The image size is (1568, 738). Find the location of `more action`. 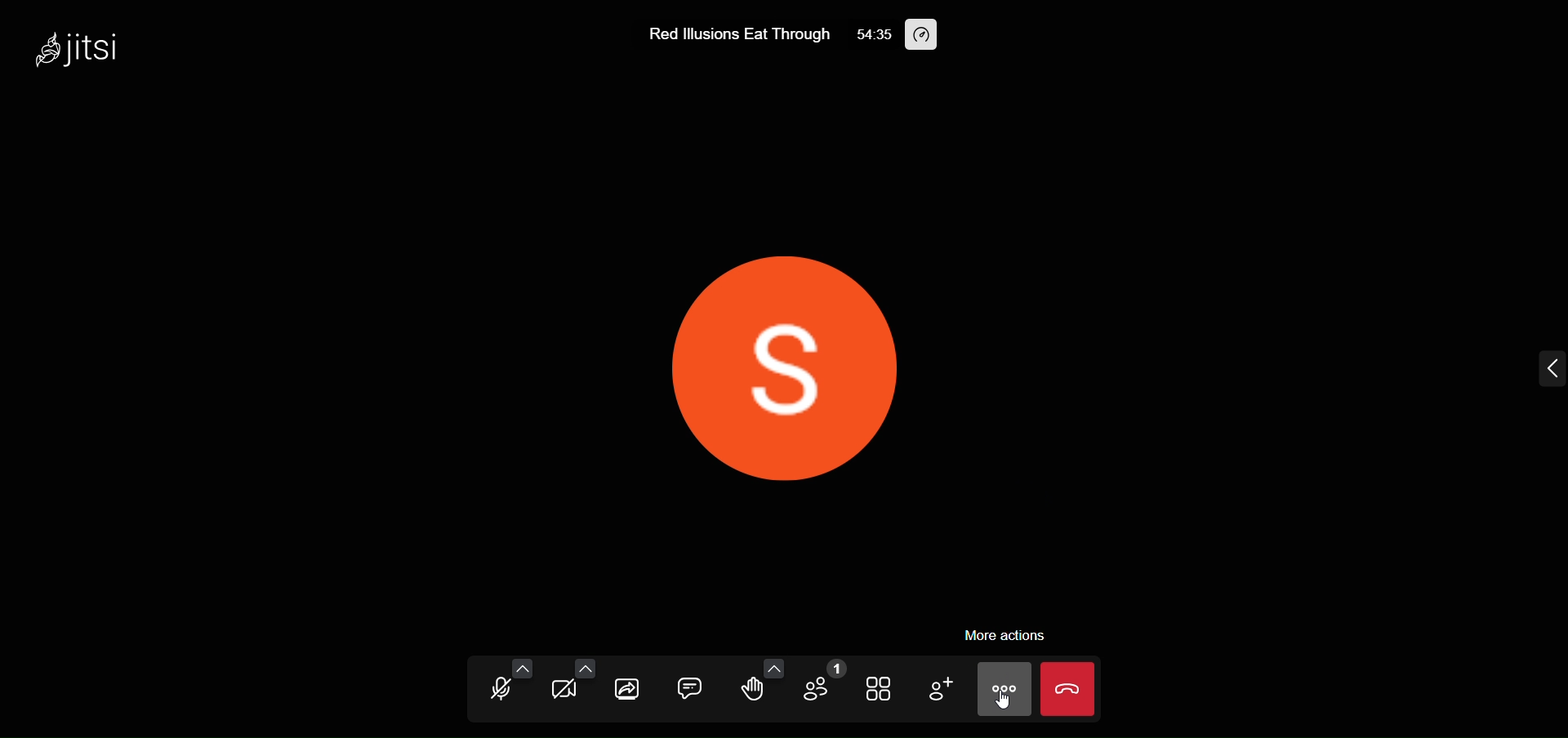

more action is located at coordinates (1004, 634).